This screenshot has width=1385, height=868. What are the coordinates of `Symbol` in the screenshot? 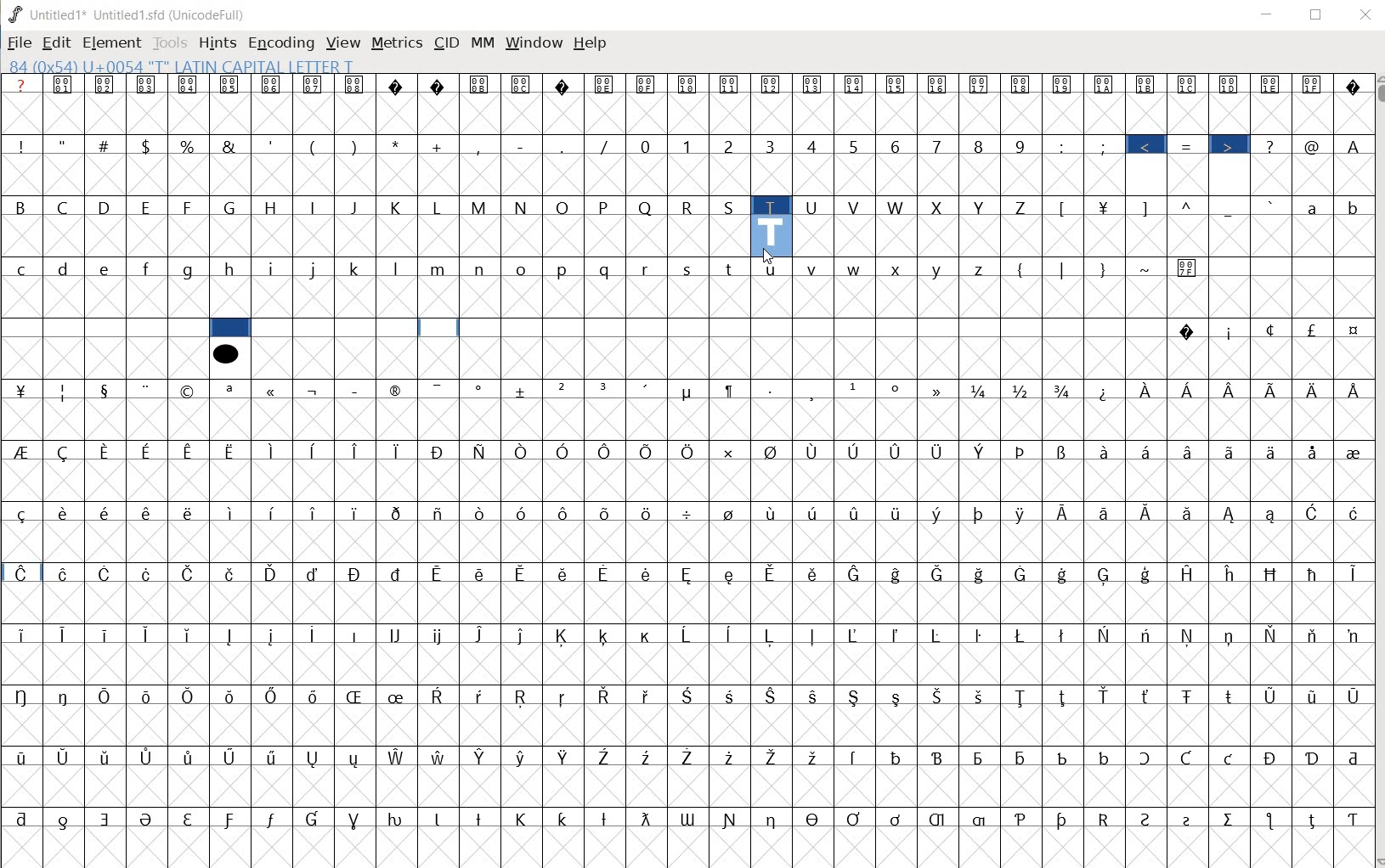 It's located at (314, 696).